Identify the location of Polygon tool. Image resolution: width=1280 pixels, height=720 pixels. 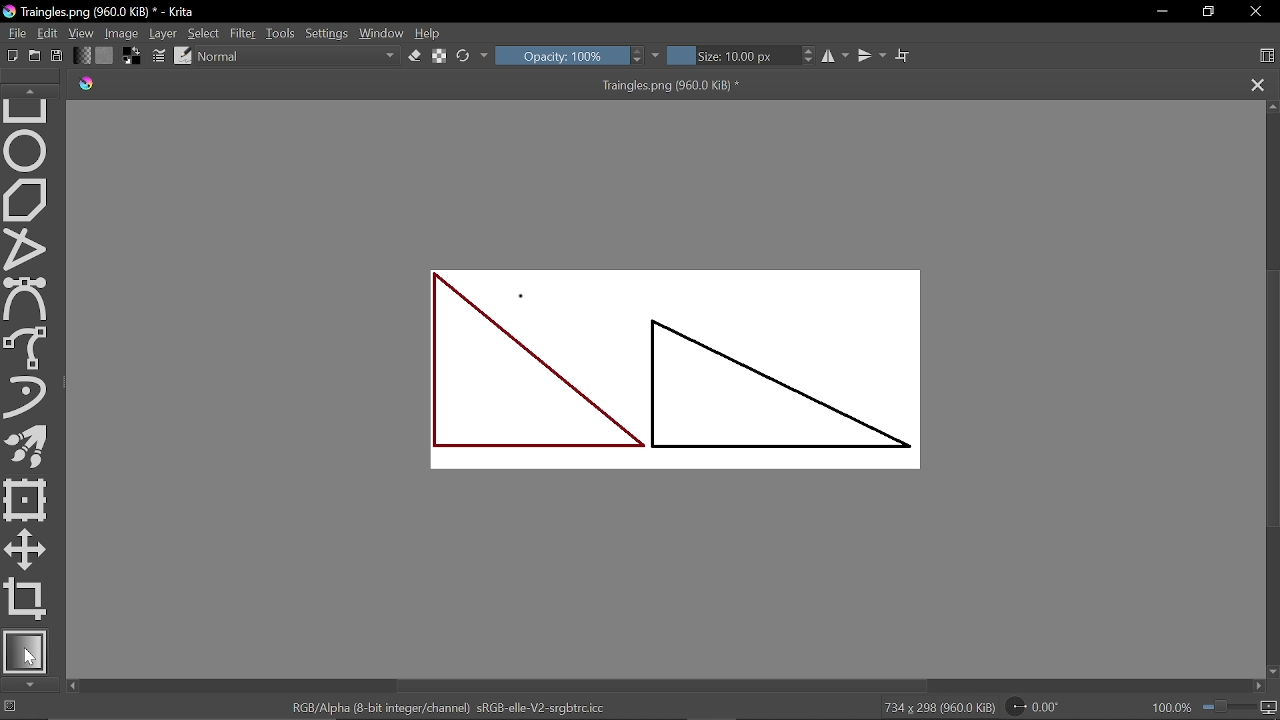
(28, 200).